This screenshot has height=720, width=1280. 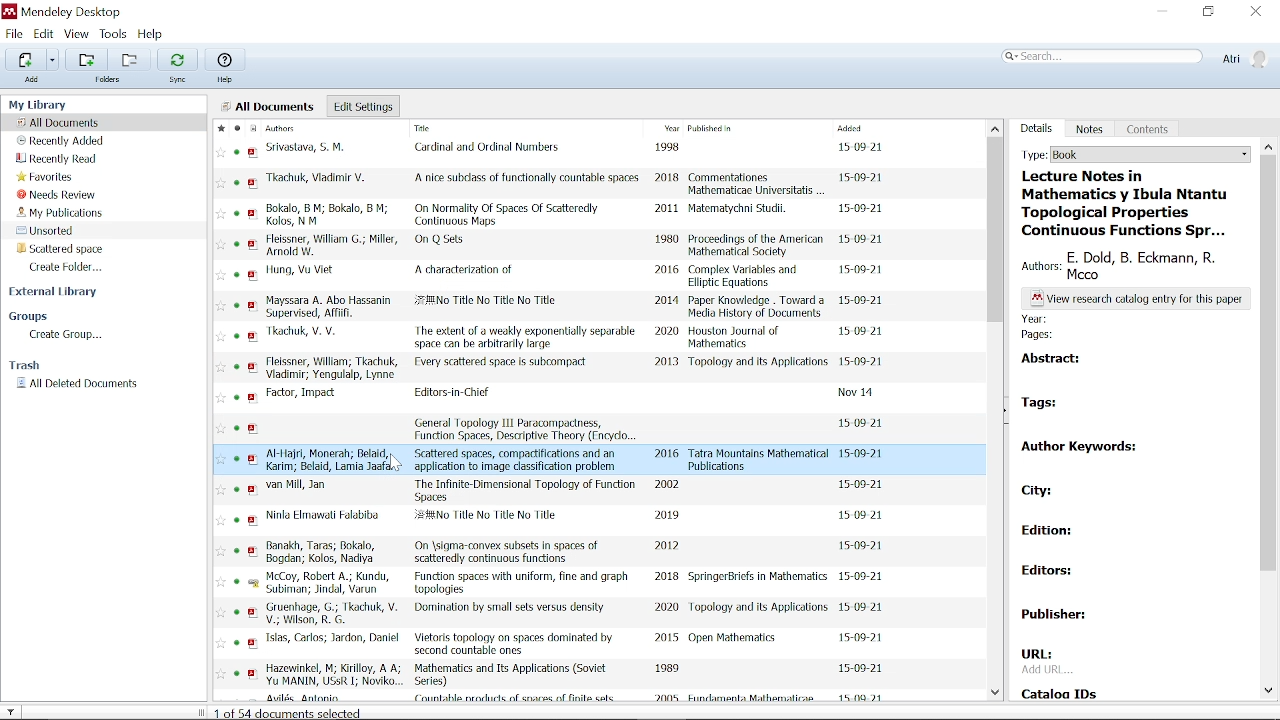 What do you see at coordinates (1135, 266) in the screenshot?
I see `authors` at bounding box center [1135, 266].